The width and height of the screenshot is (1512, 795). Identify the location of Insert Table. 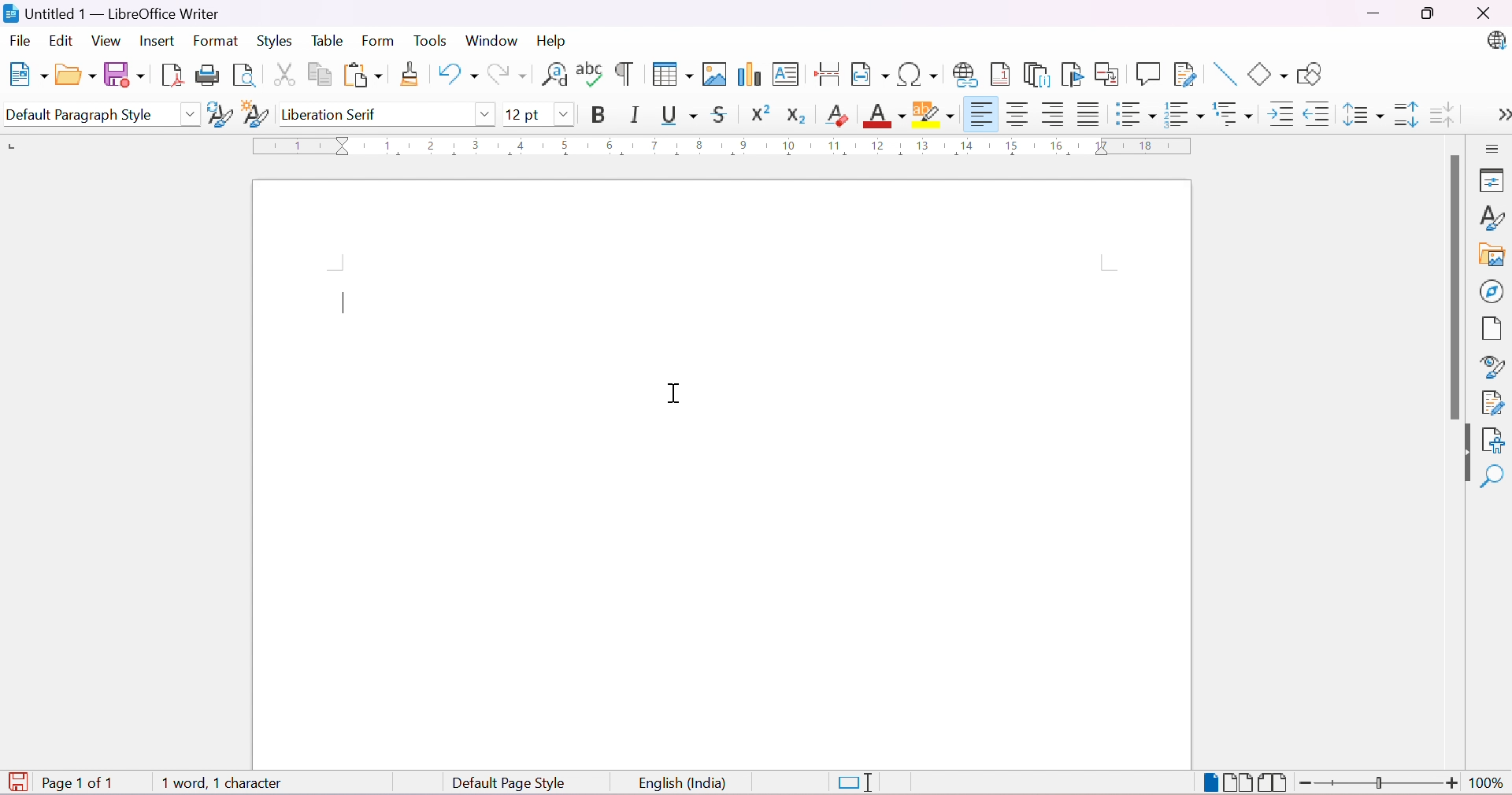
(713, 73).